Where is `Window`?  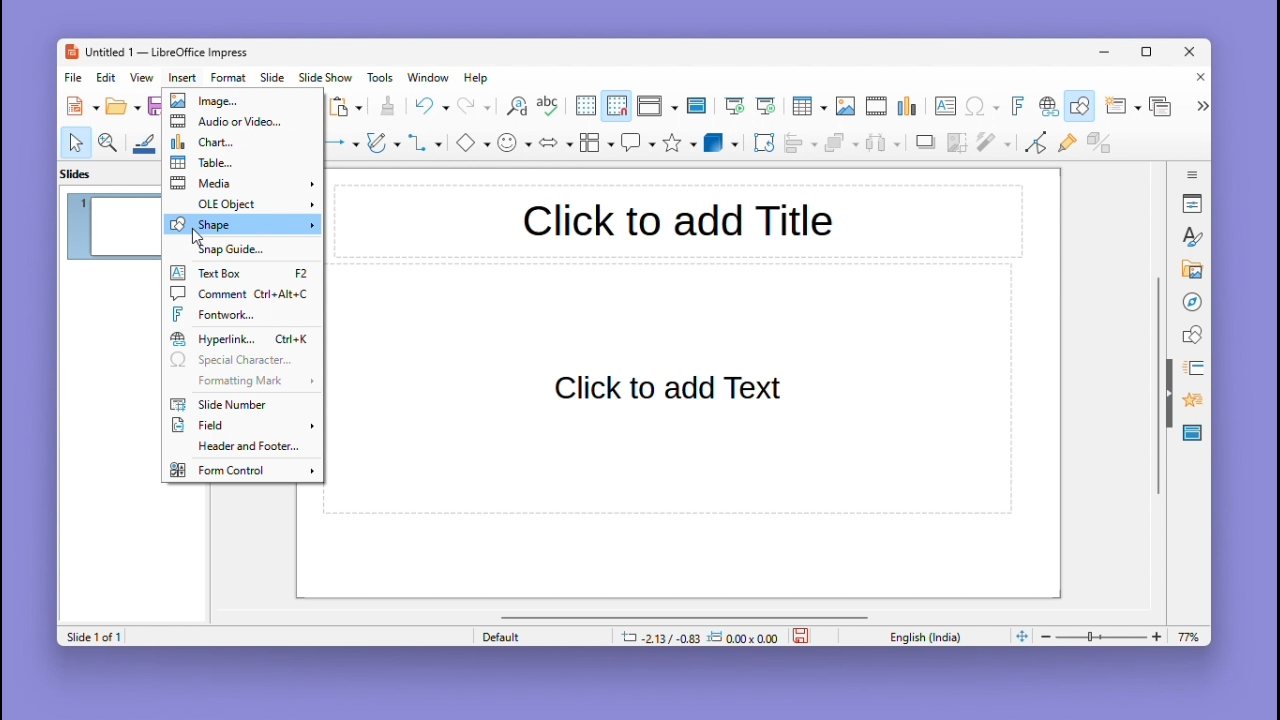
Window is located at coordinates (433, 77).